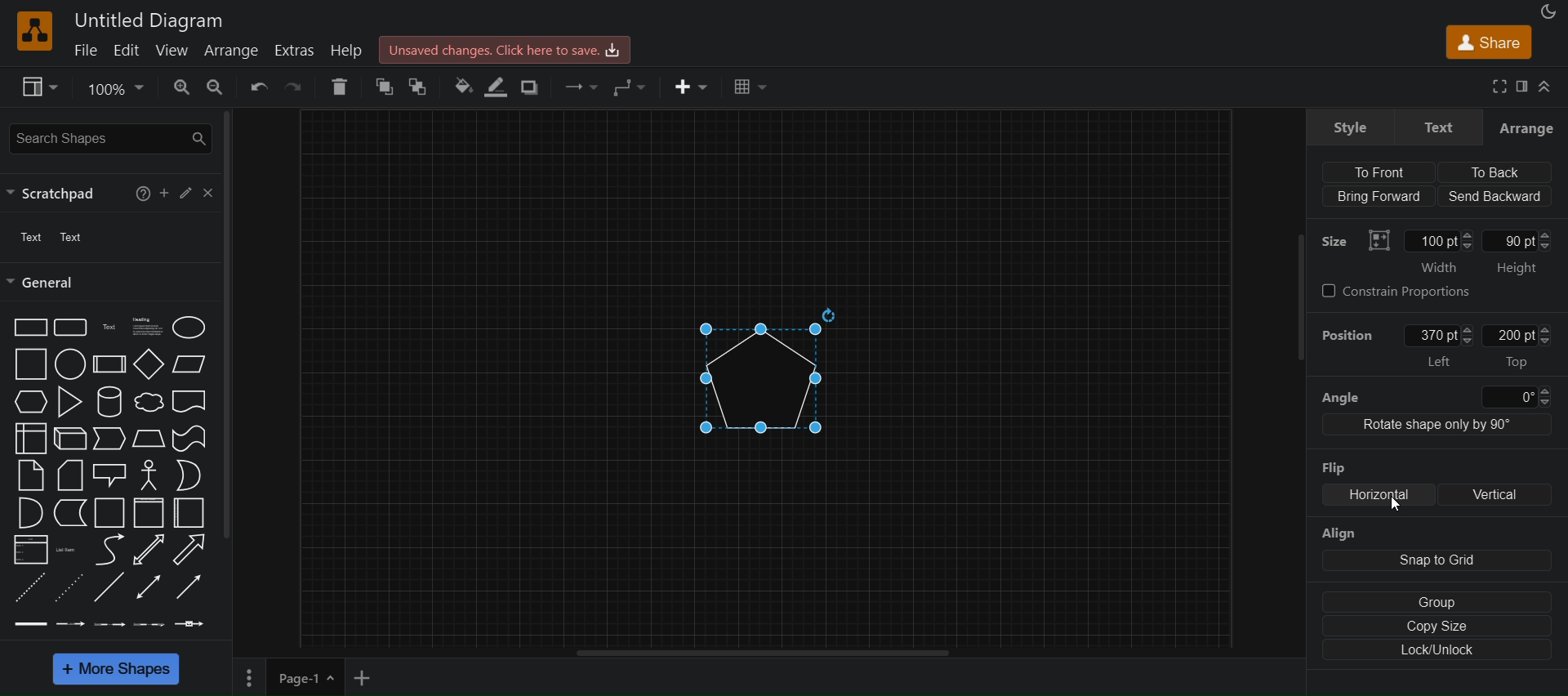  What do you see at coordinates (1494, 196) in the screenshot?
I see `send backward` at bounding box center [1494, 196].